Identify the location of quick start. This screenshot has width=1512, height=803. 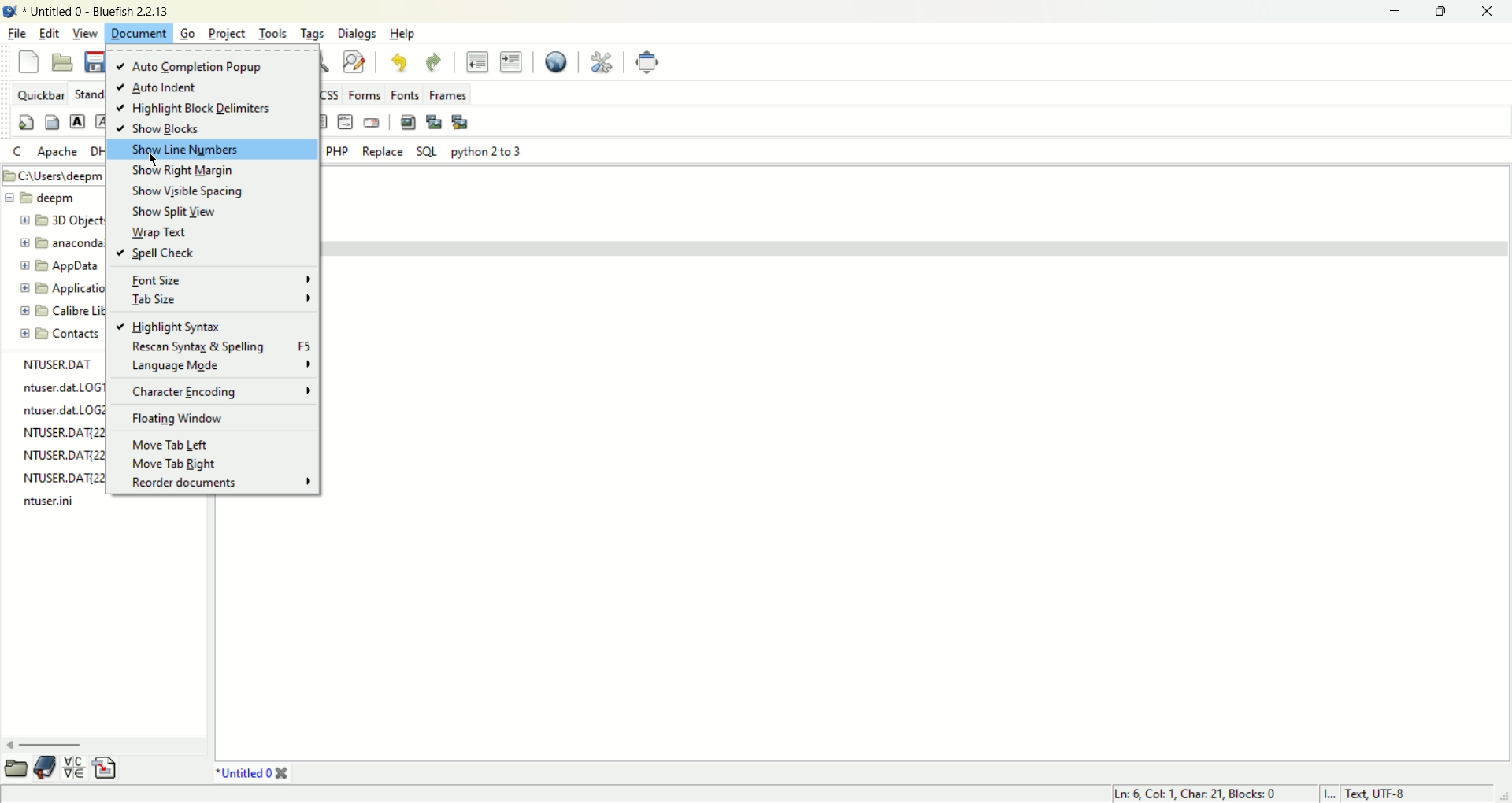
(27, 122).